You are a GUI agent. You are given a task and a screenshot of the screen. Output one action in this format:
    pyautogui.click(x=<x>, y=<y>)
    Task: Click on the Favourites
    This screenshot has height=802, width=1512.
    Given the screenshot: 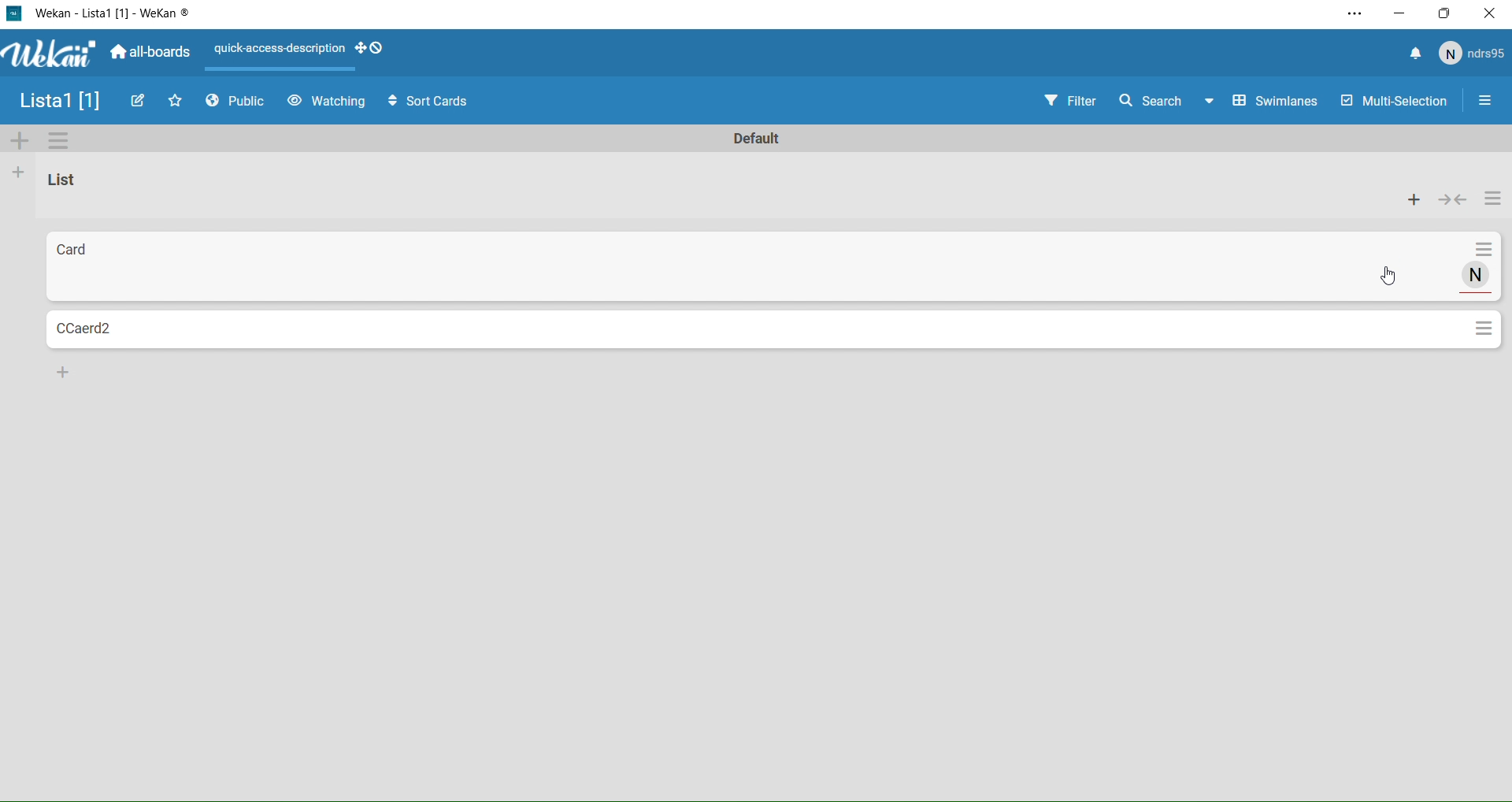 What is the action you would take?
    pyautogui.click(x=176, y=100)
    